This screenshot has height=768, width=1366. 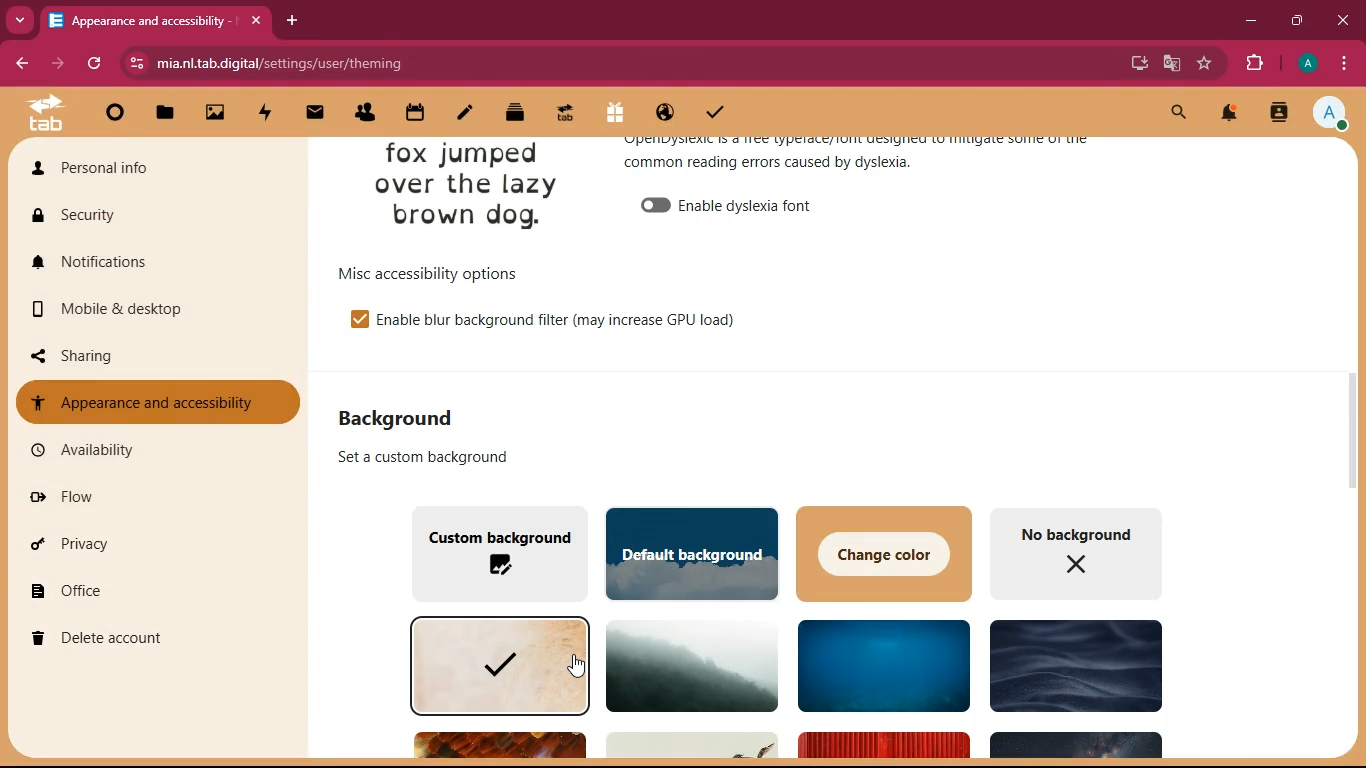 I want to click on notes, so click(x=464, y=116).